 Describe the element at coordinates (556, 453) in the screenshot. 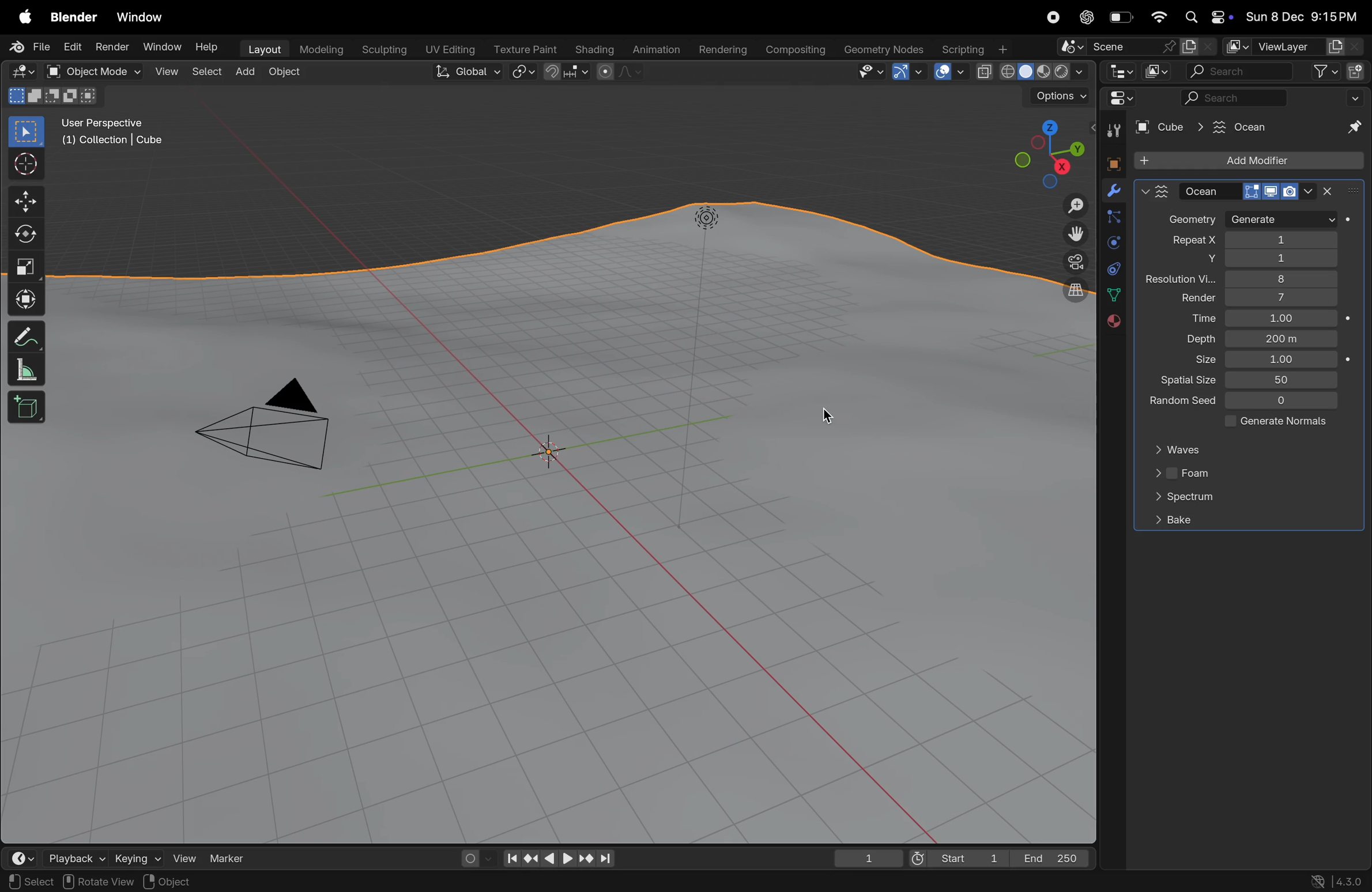

I see `boject` at that location.